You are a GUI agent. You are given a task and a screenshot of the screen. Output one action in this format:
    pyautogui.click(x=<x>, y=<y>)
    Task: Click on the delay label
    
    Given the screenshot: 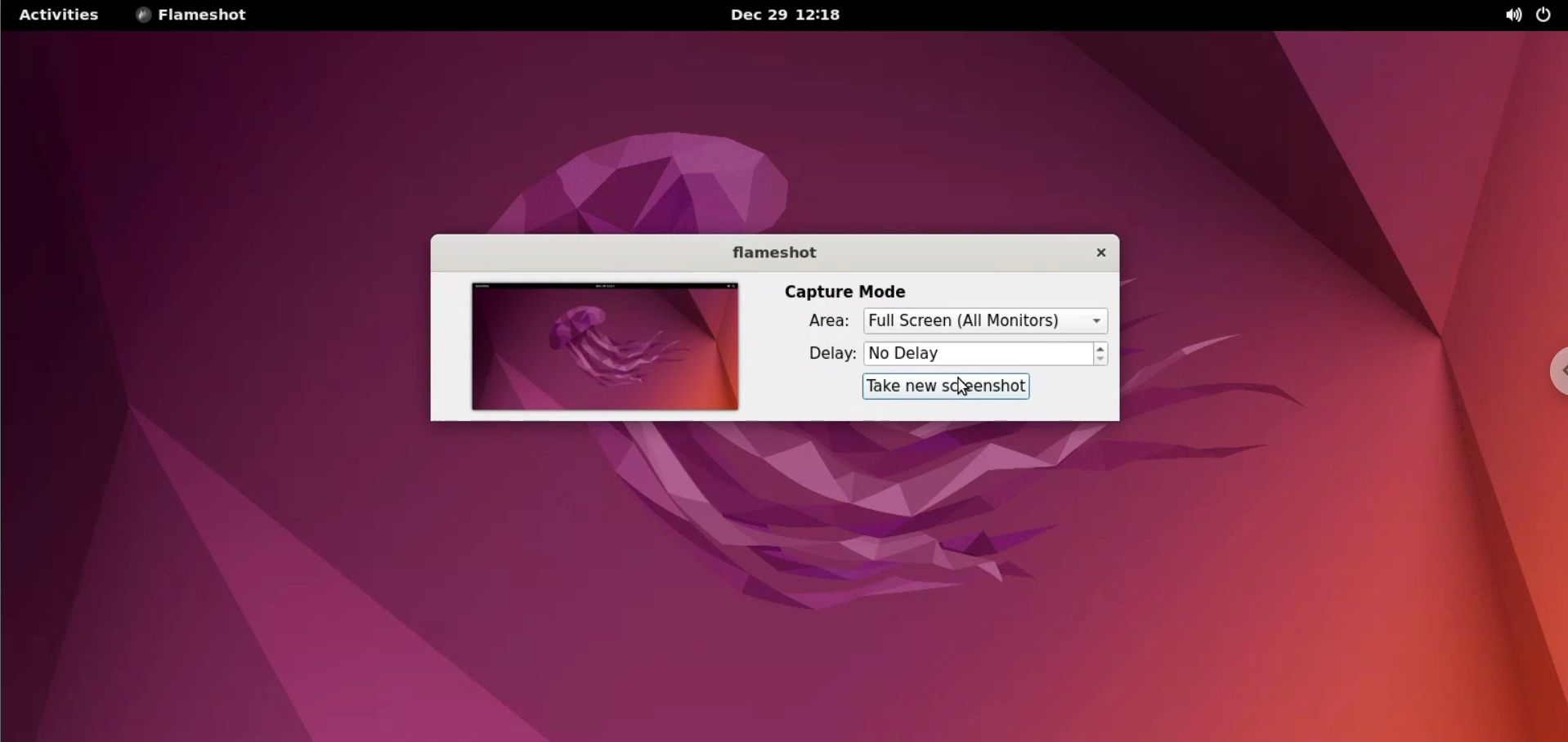 What is the action you would take?
    pyautogui.click(x=825, y=355)
    